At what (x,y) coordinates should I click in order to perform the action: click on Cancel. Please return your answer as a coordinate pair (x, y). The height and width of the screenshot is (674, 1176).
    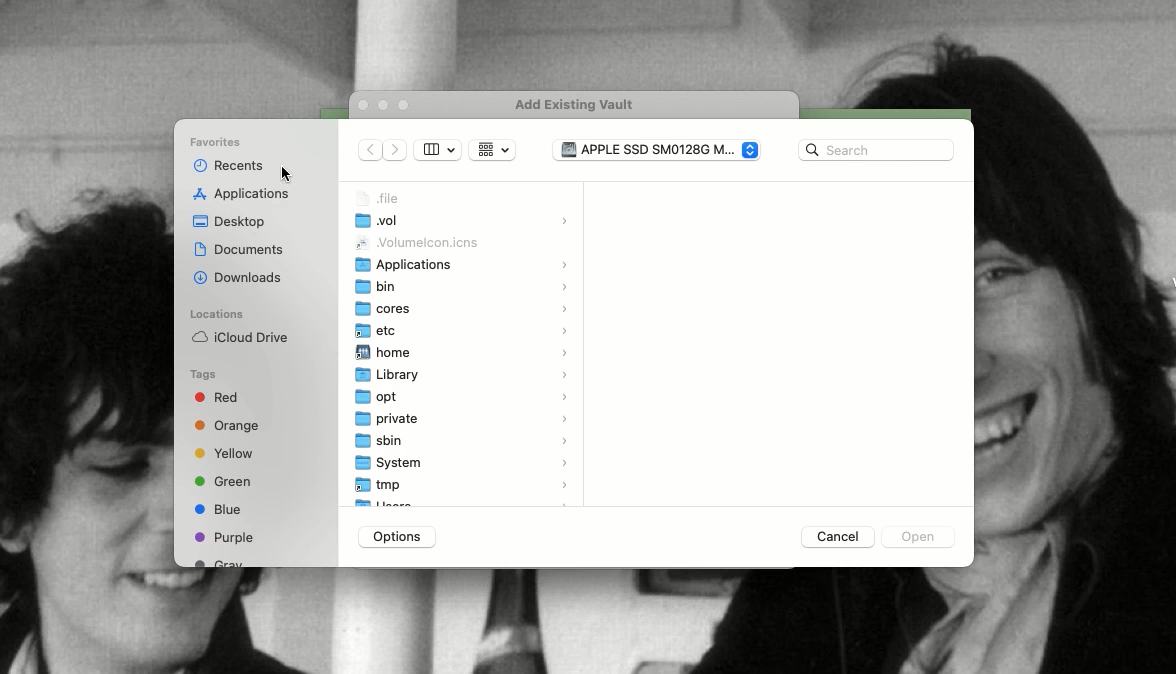
    Looking at the image, I should click on (835, 536).